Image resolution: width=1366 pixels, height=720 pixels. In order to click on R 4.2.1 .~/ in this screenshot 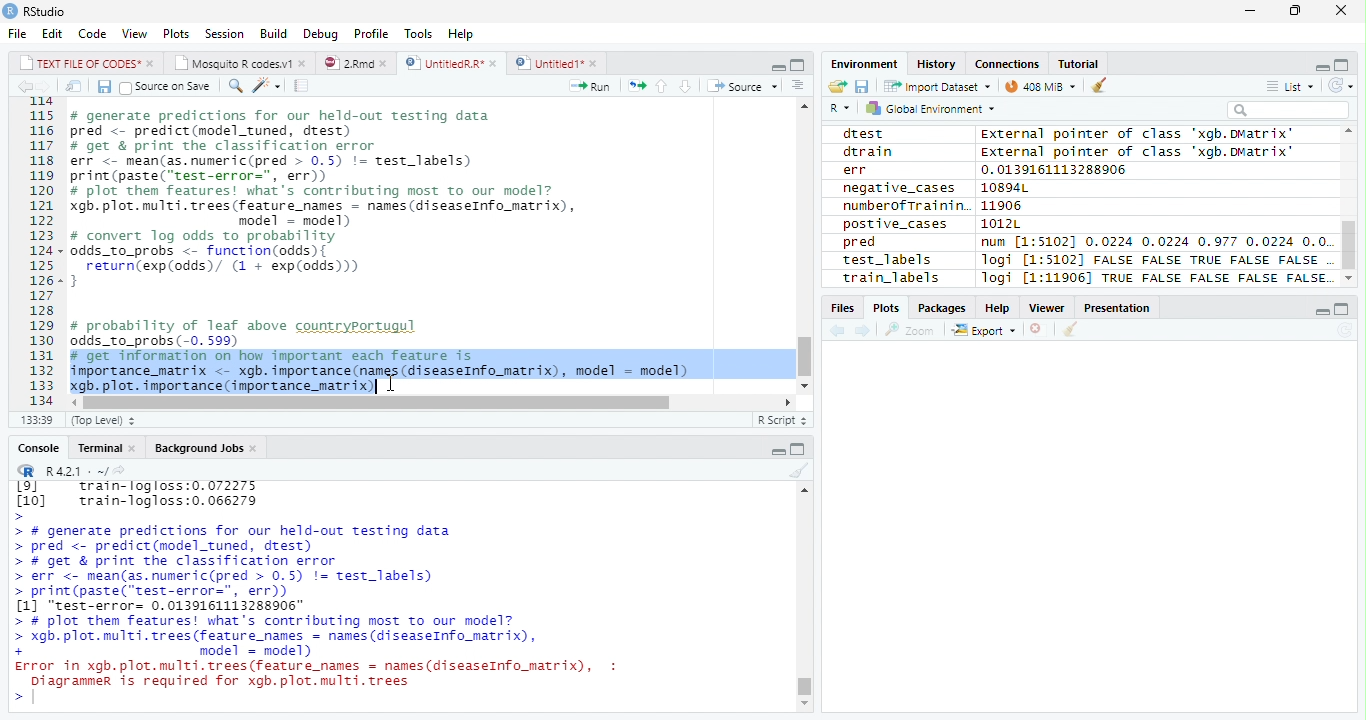, I will do `click(74, 470)`.